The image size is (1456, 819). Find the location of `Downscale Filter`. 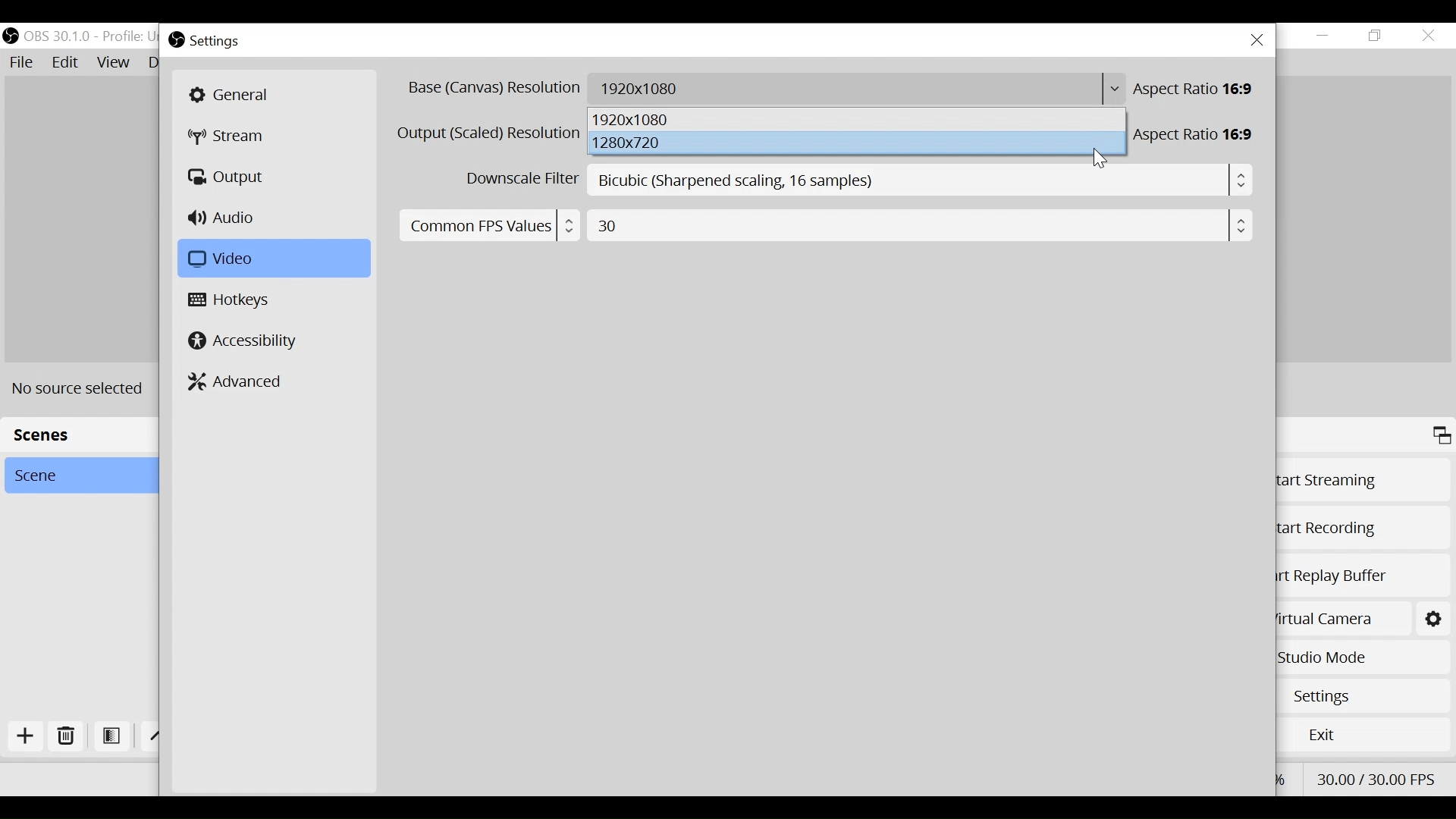

Downscale Filter is located at coordinates (519, 179).